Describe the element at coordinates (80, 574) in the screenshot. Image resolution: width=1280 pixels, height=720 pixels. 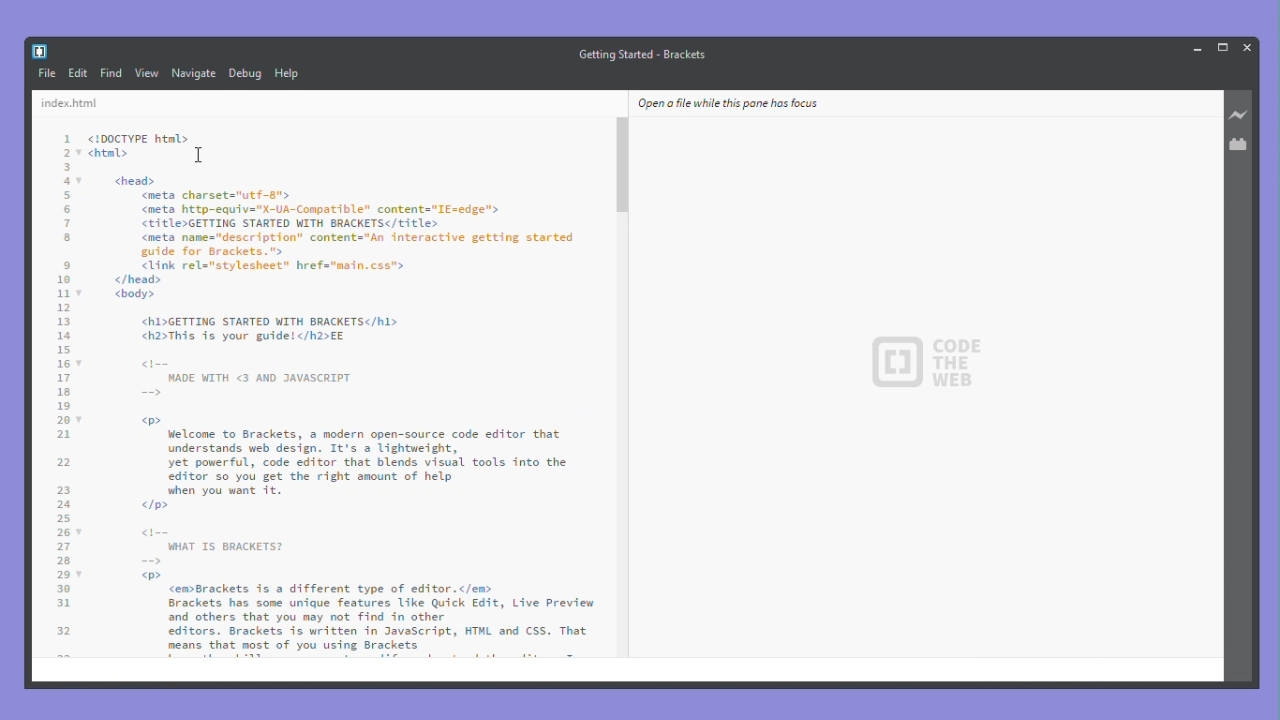
I see `code fold` at that location.